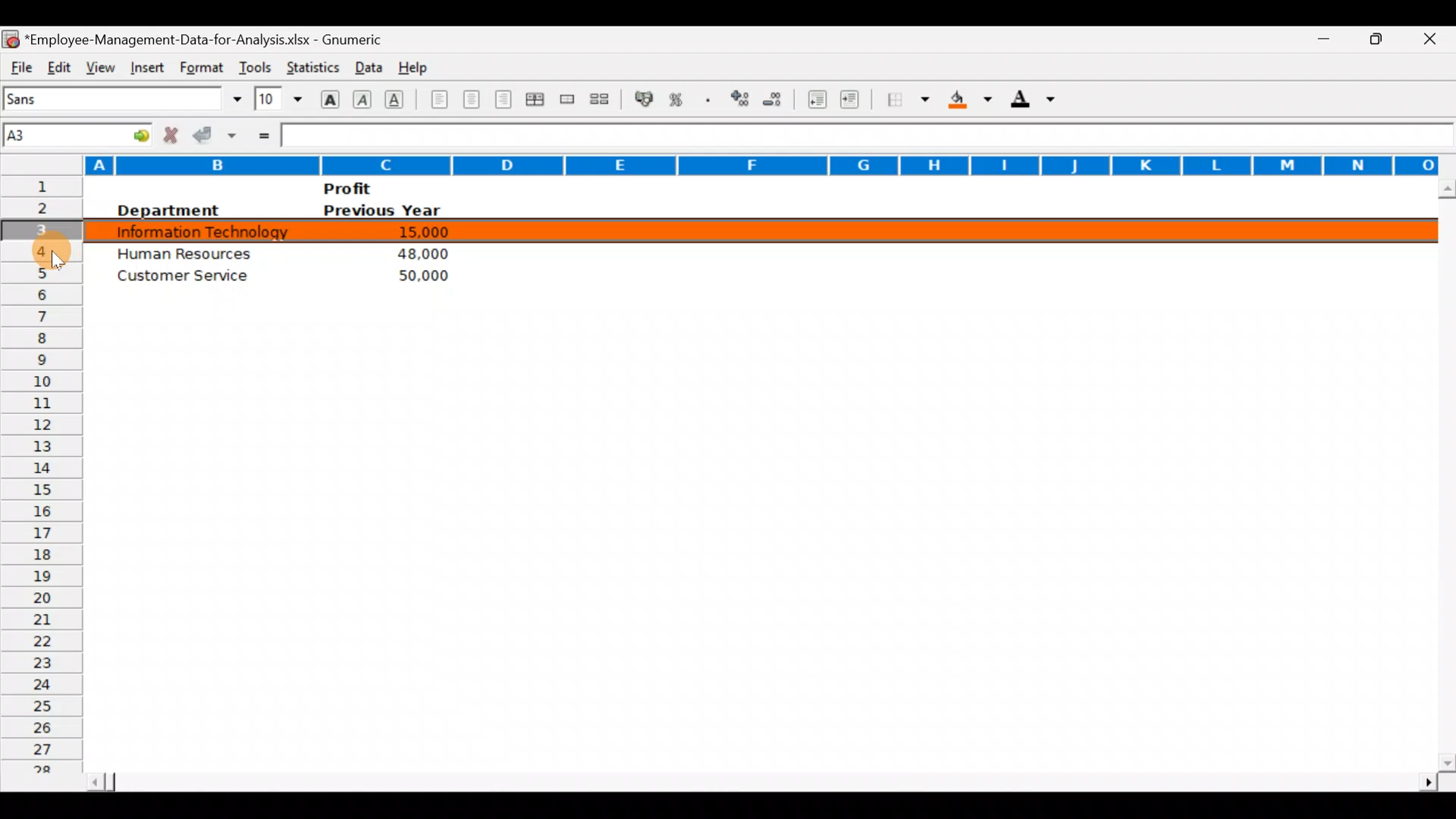 This screenshot has width=1456, height=819. I want to click on Department, so click(167, 210).